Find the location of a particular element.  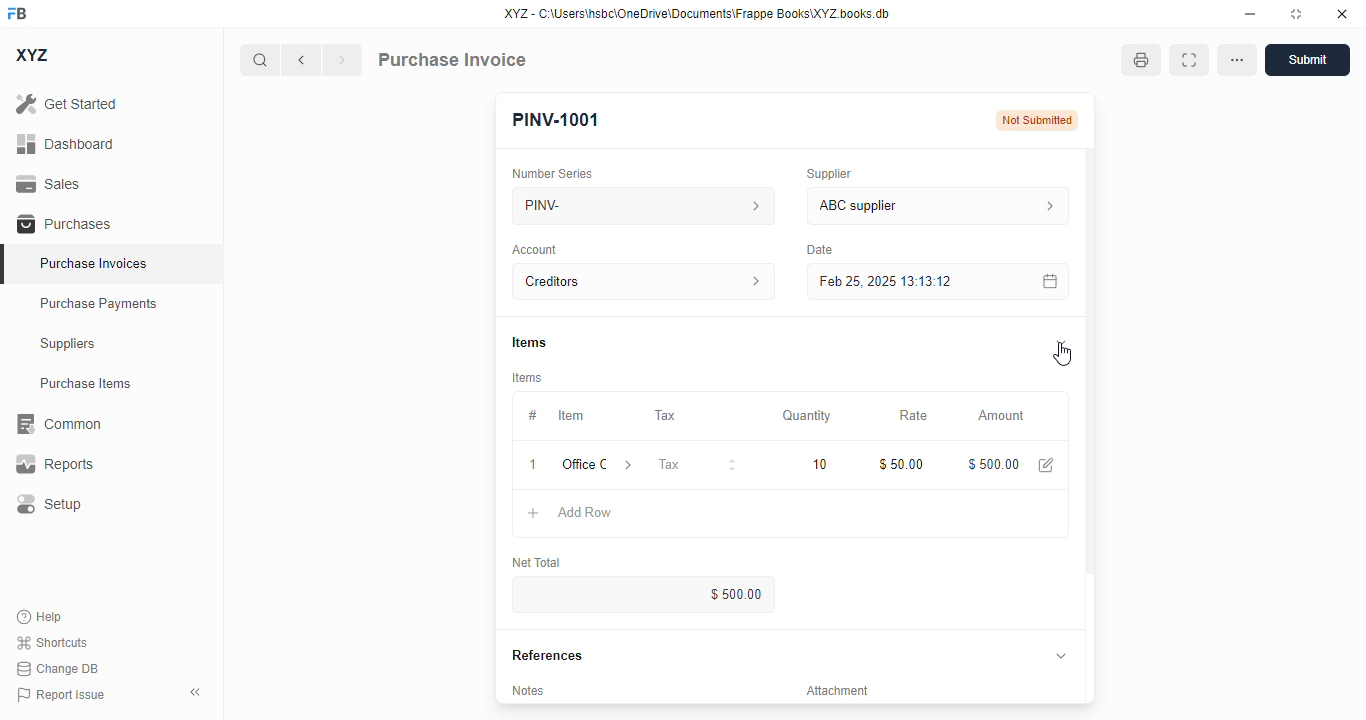

# is located at coordinates (531, 416).